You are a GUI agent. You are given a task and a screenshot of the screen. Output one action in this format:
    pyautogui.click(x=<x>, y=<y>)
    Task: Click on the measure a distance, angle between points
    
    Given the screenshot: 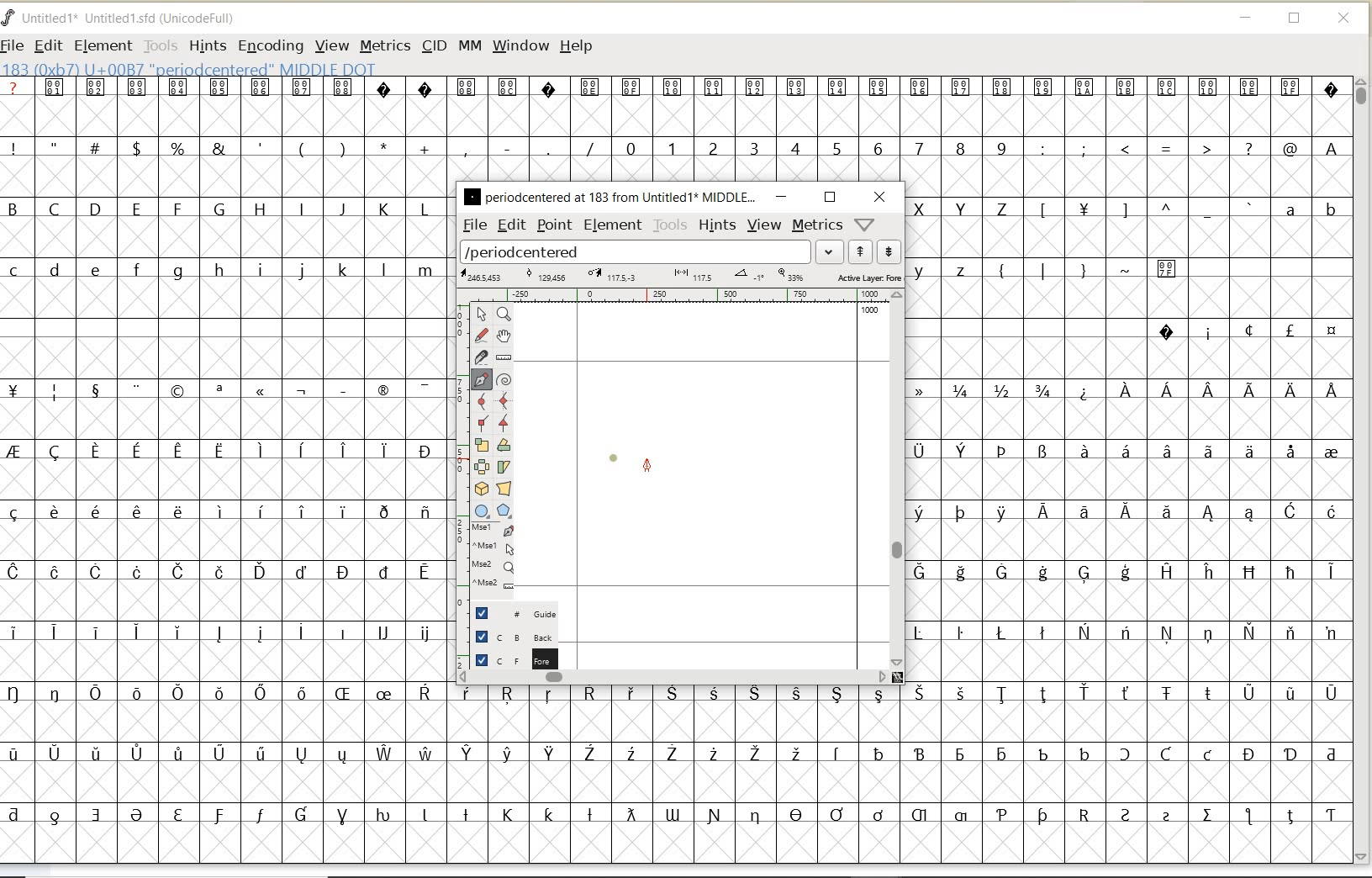 What is the action you would take?
    pyautogui.click(x=504, y=357)
    